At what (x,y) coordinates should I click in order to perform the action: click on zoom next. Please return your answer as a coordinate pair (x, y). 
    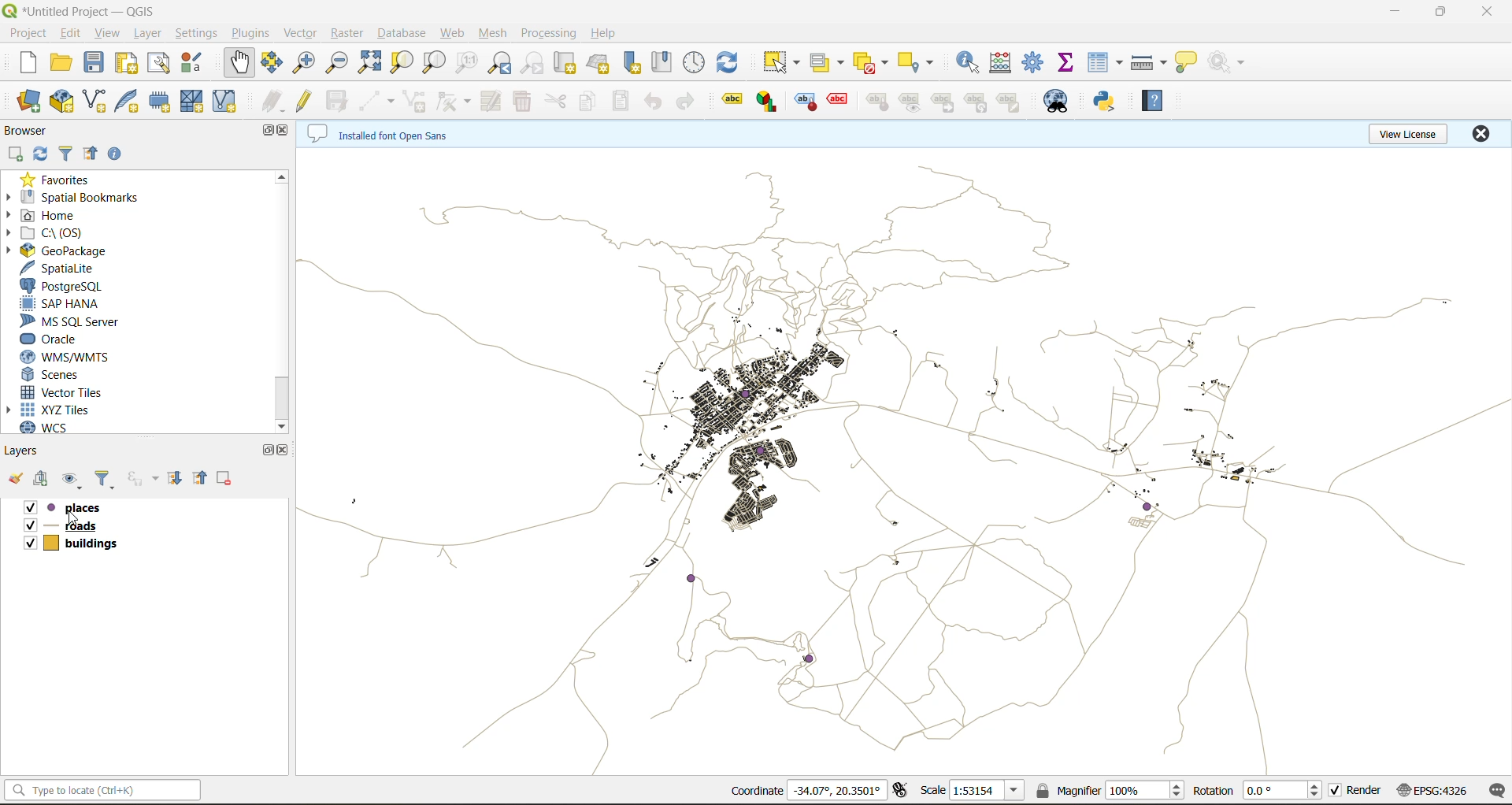
    Looking at the image, I should click on (533, 64).